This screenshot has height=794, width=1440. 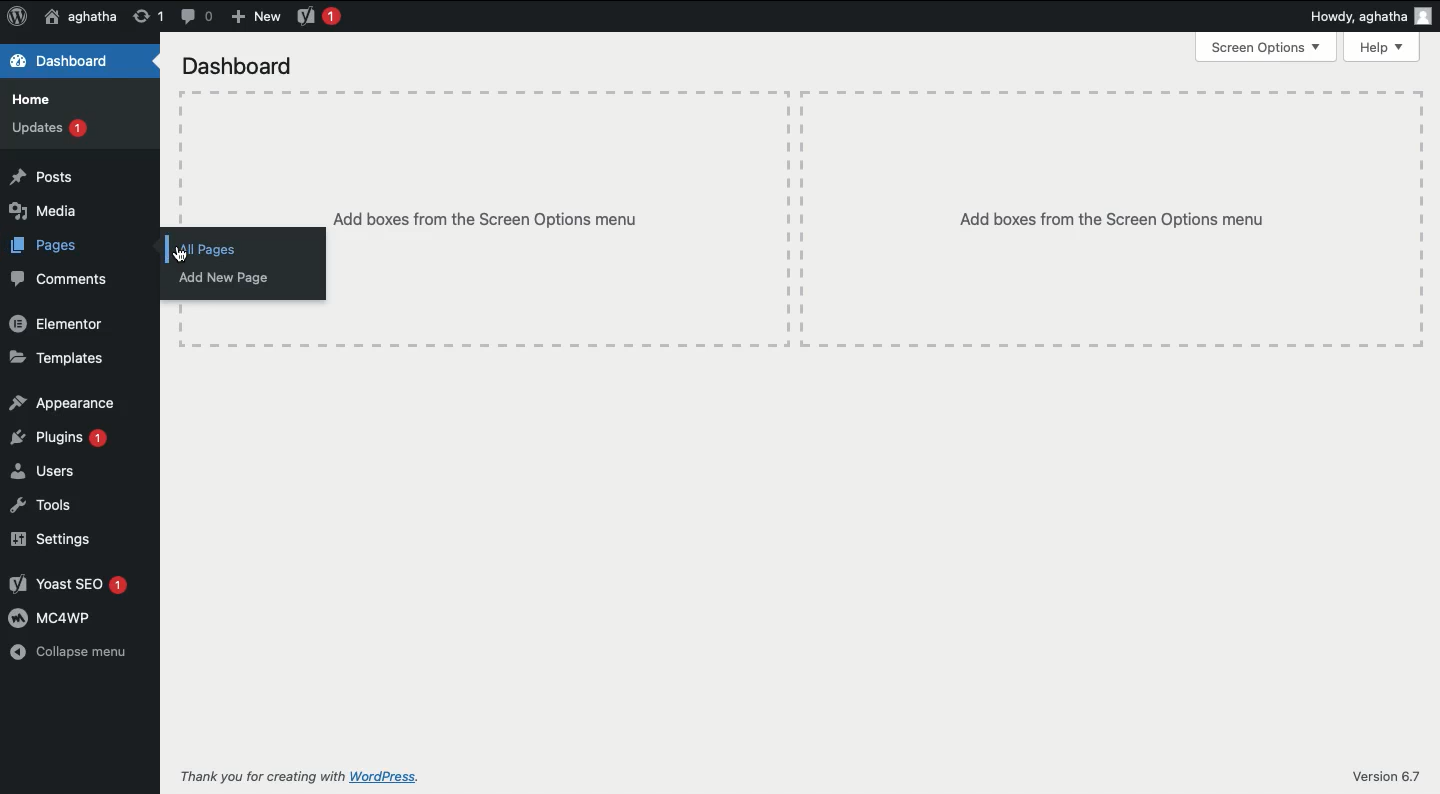 I want to click on All pages, so click(x=207, y=248).